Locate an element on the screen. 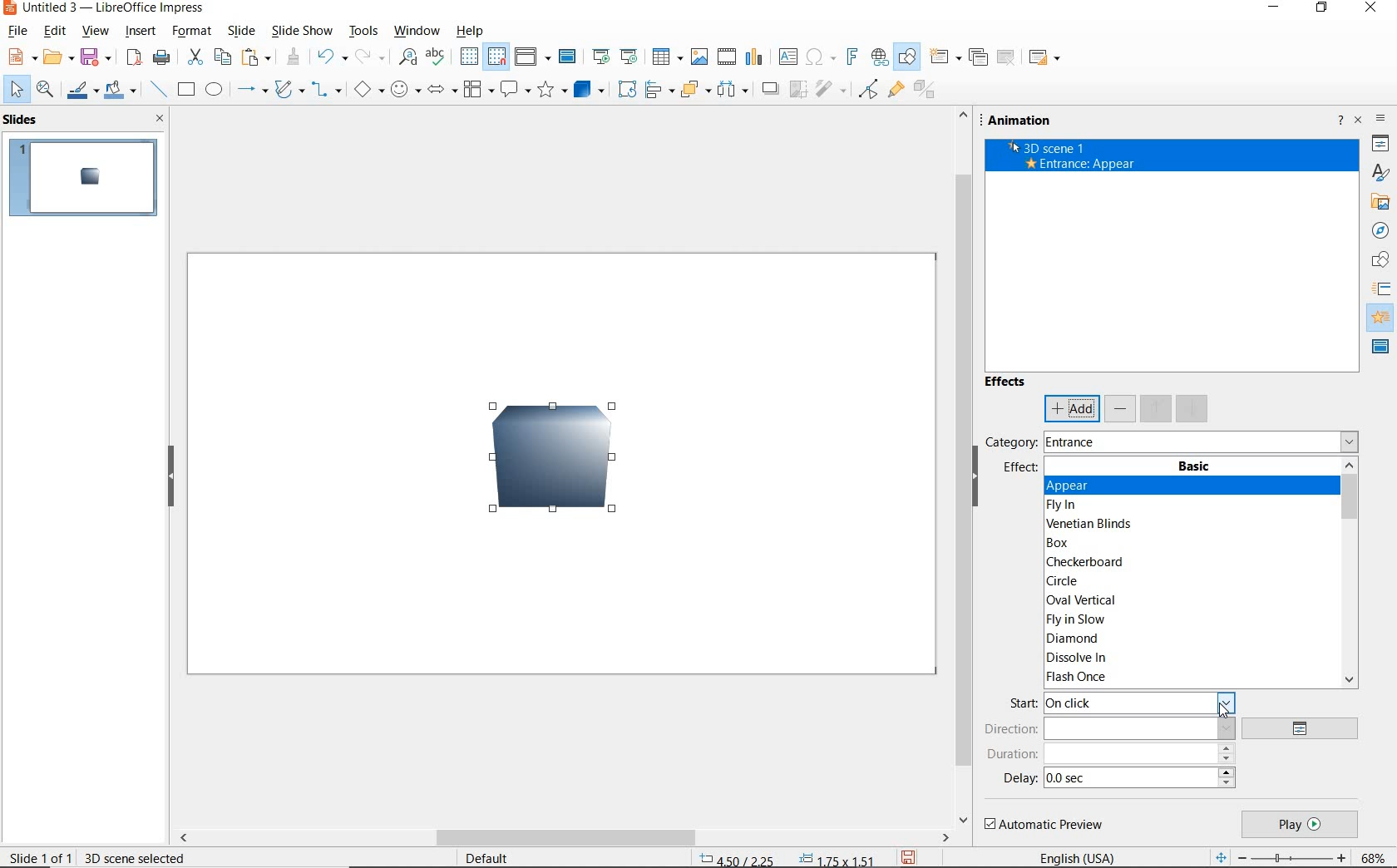 The width and height of the screenshot is (1397, 868). 0.0 sec is located at coordinates (1064, 779).